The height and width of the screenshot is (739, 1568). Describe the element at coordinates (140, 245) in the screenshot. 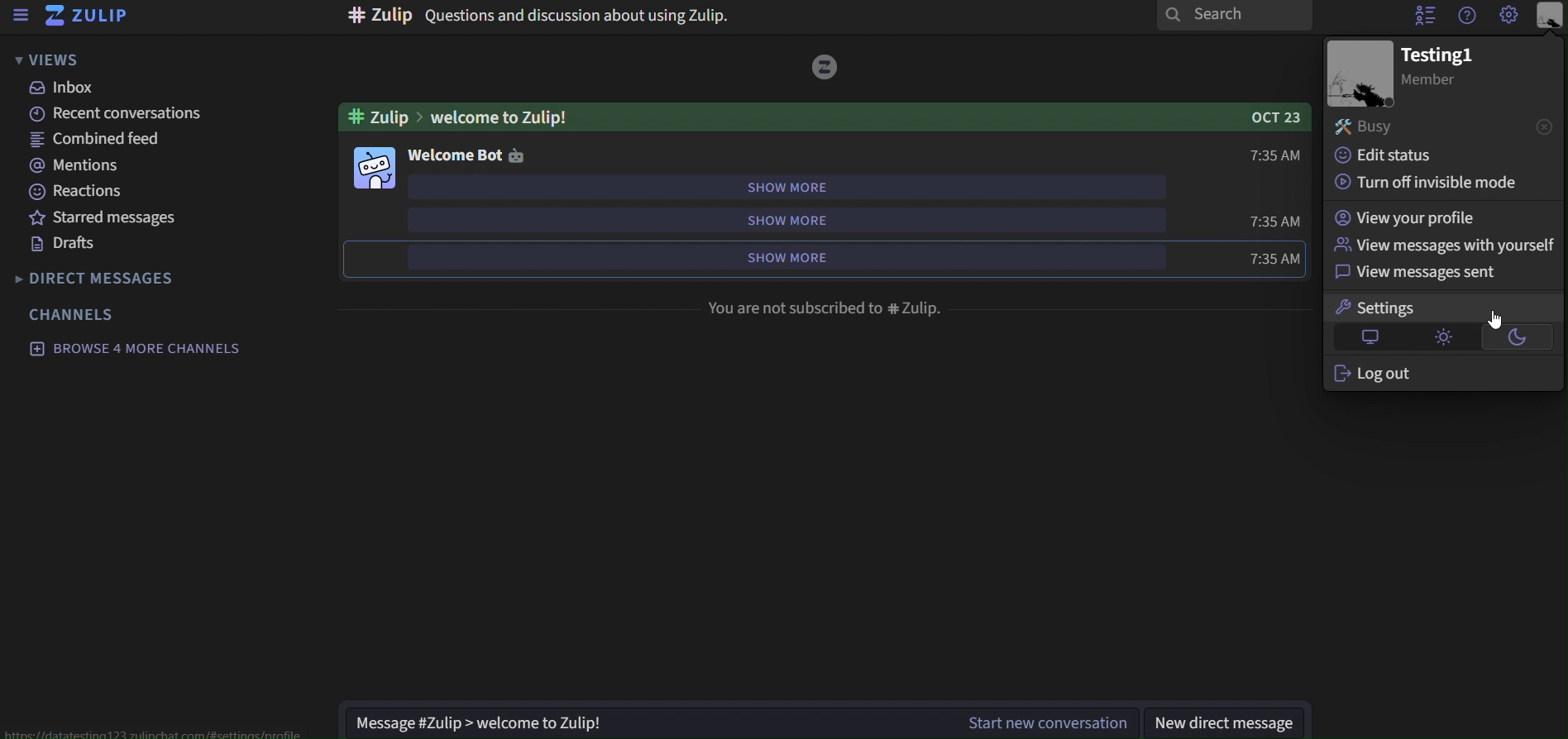

I see `drafts` at that location.